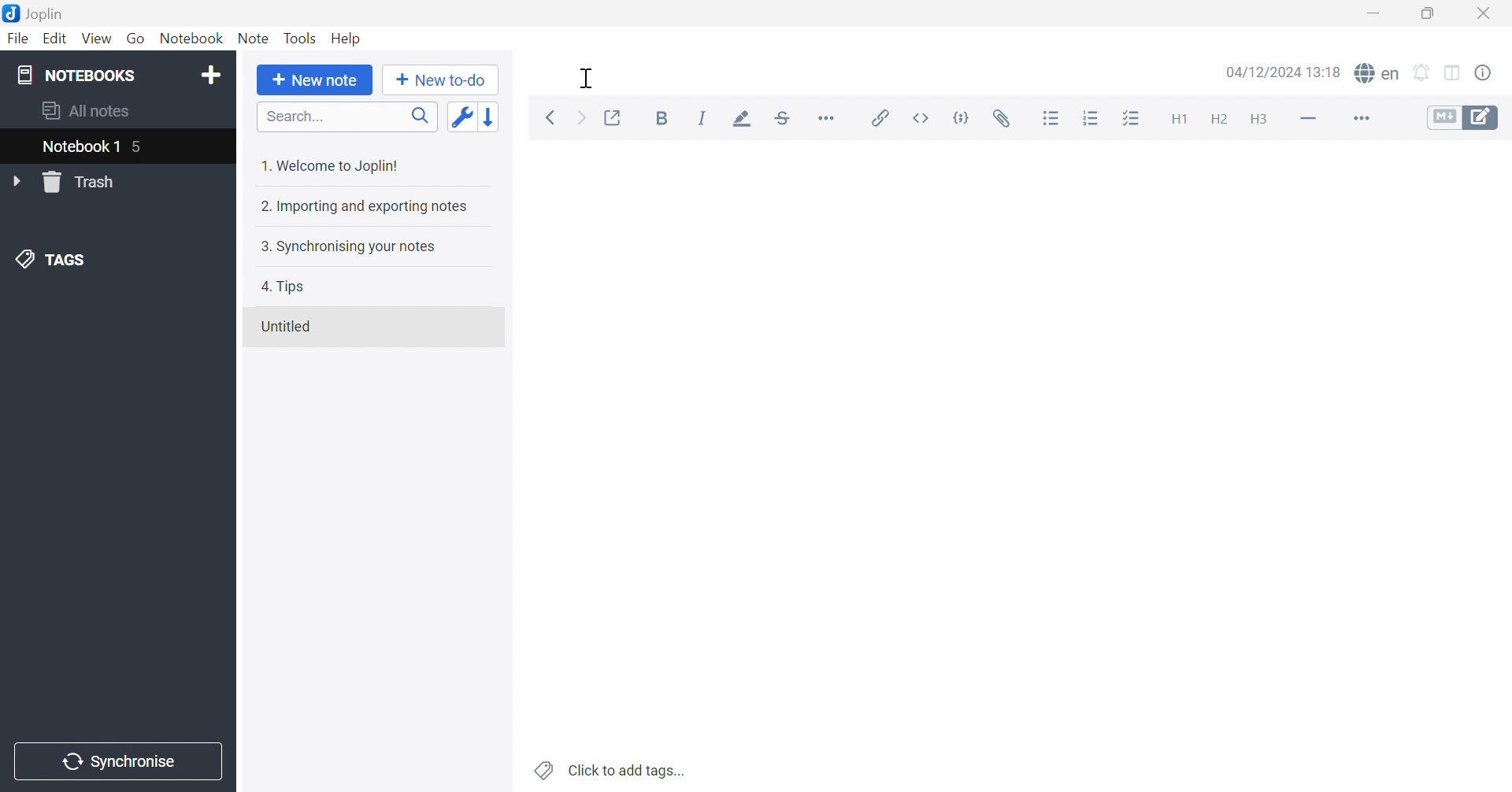  Describe the element at coordinates (1464, 120) in the screenshot. I see `Toggle editors` at that location.